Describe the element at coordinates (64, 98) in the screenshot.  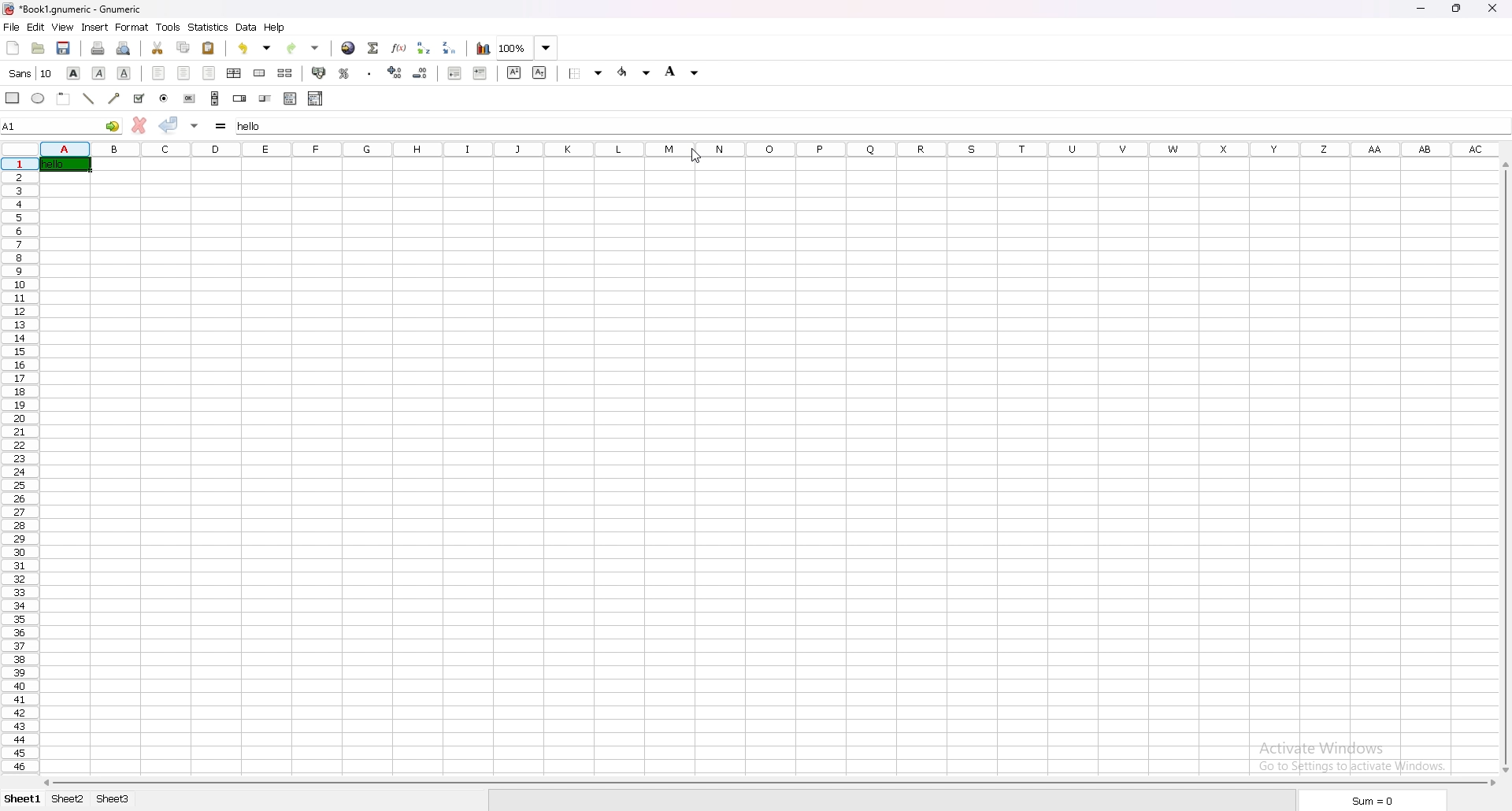
I see `frame` at that location.